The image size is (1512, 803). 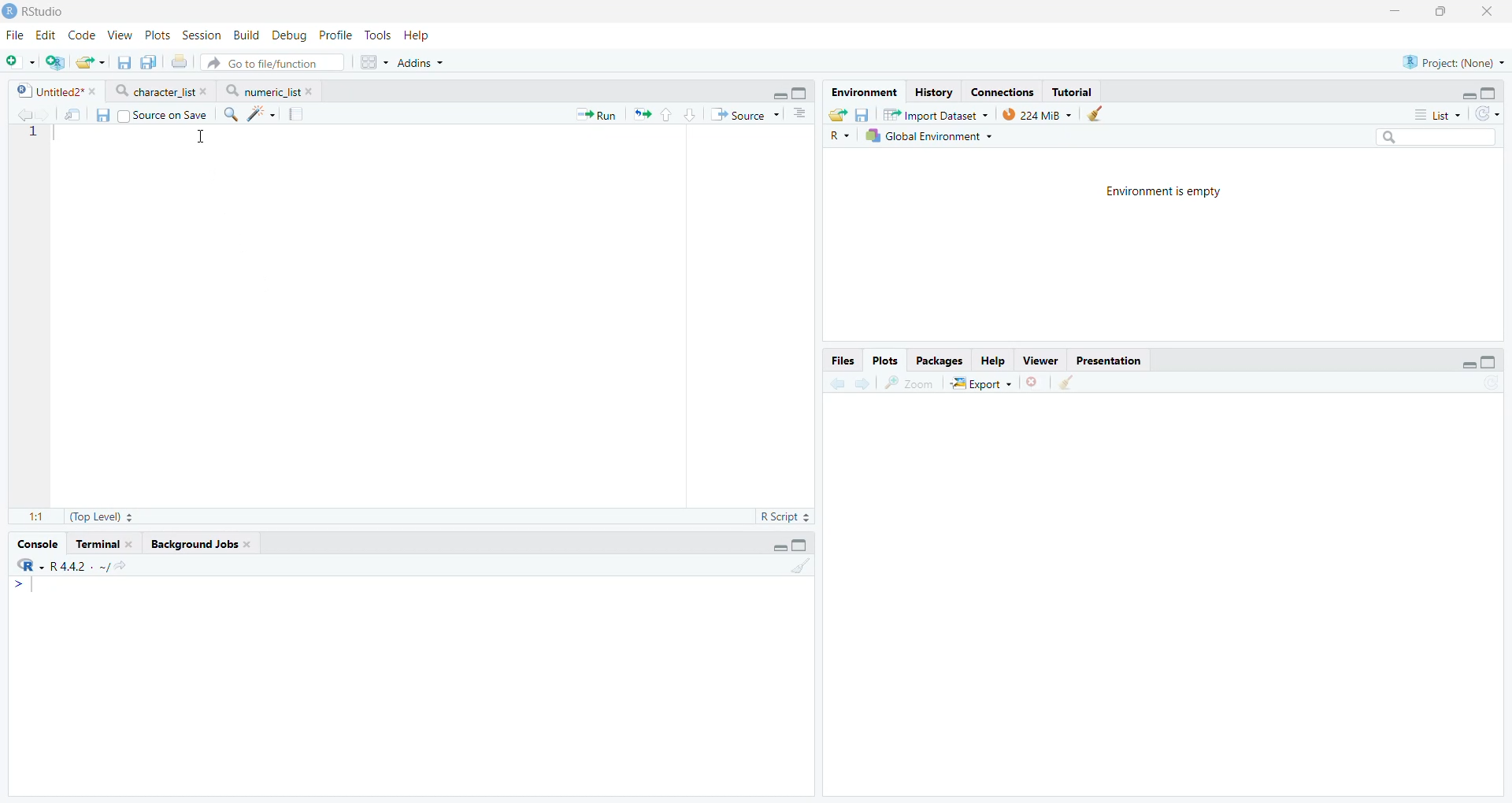 What do you see at coordinates (370, 317) in the screenshot?
I see `Code editor` at bounding box center [370, 317].